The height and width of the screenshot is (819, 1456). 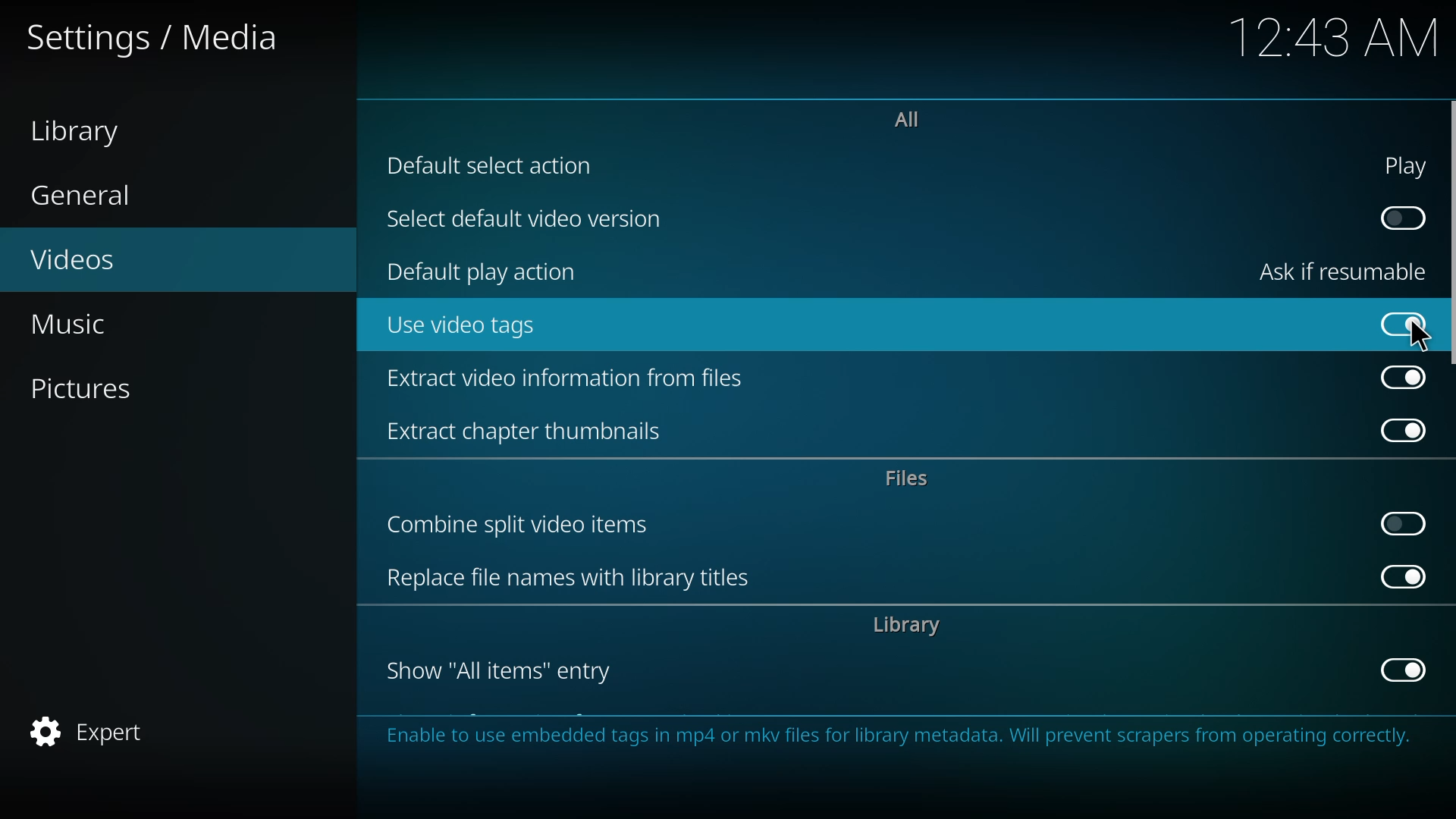 I want to click on click to enable, so click(x=1400, y=217).